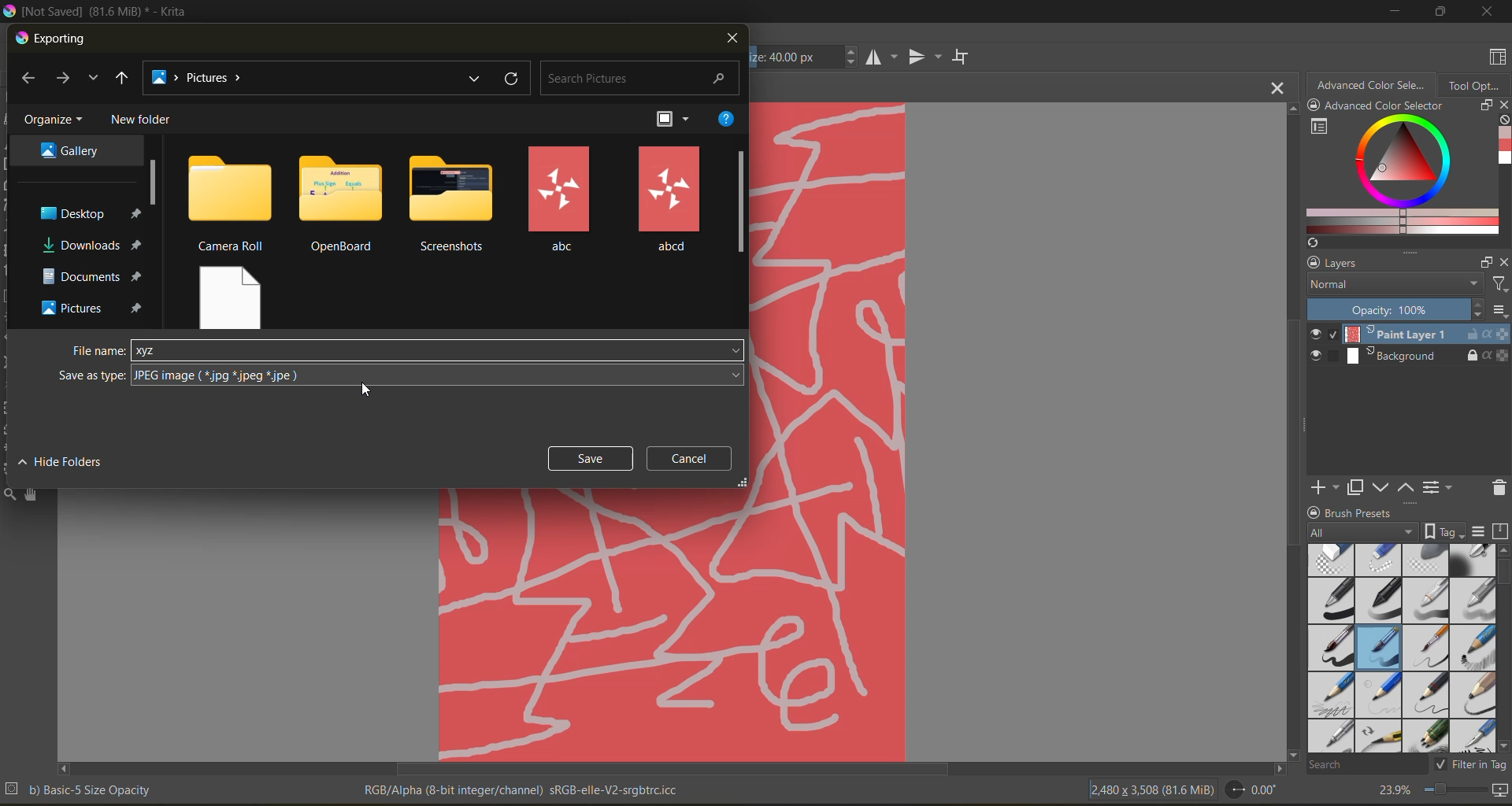  Describe the element at coordinates (1398, 264) in the screenshot. I see `layers` at that location.